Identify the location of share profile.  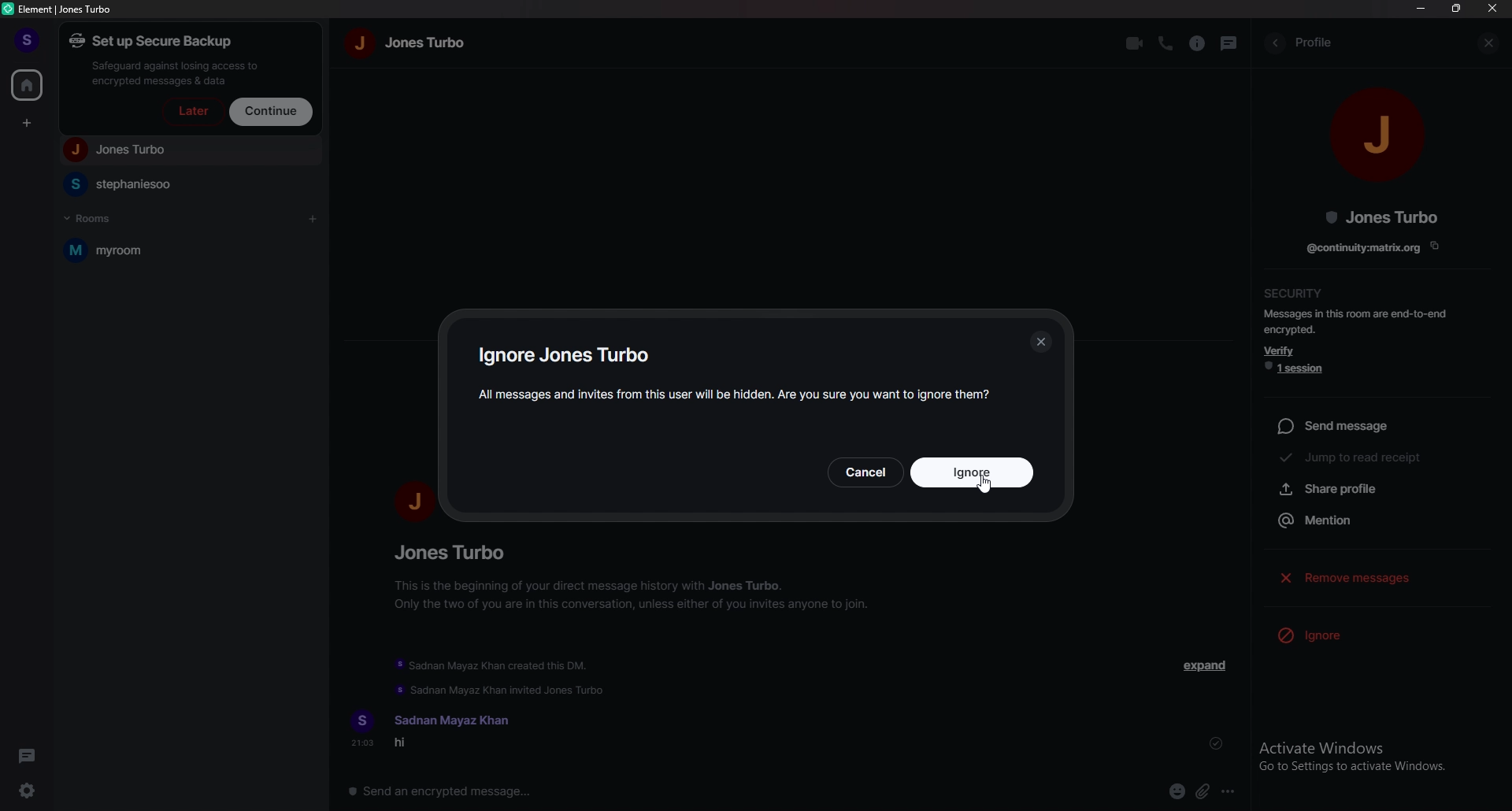
(1373, 488).